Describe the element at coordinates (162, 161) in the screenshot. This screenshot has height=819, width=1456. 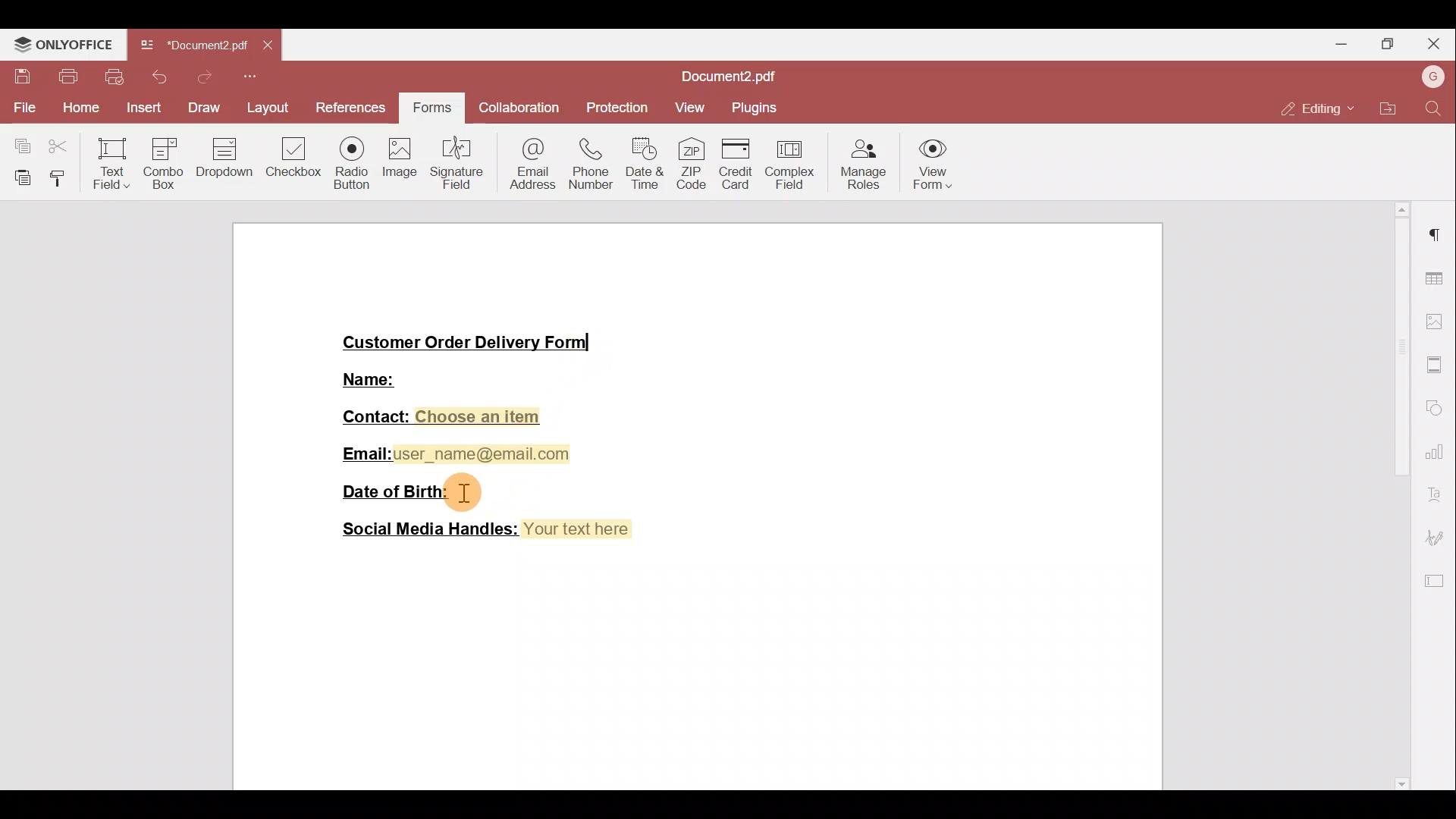
I see `Combo box` at that location.